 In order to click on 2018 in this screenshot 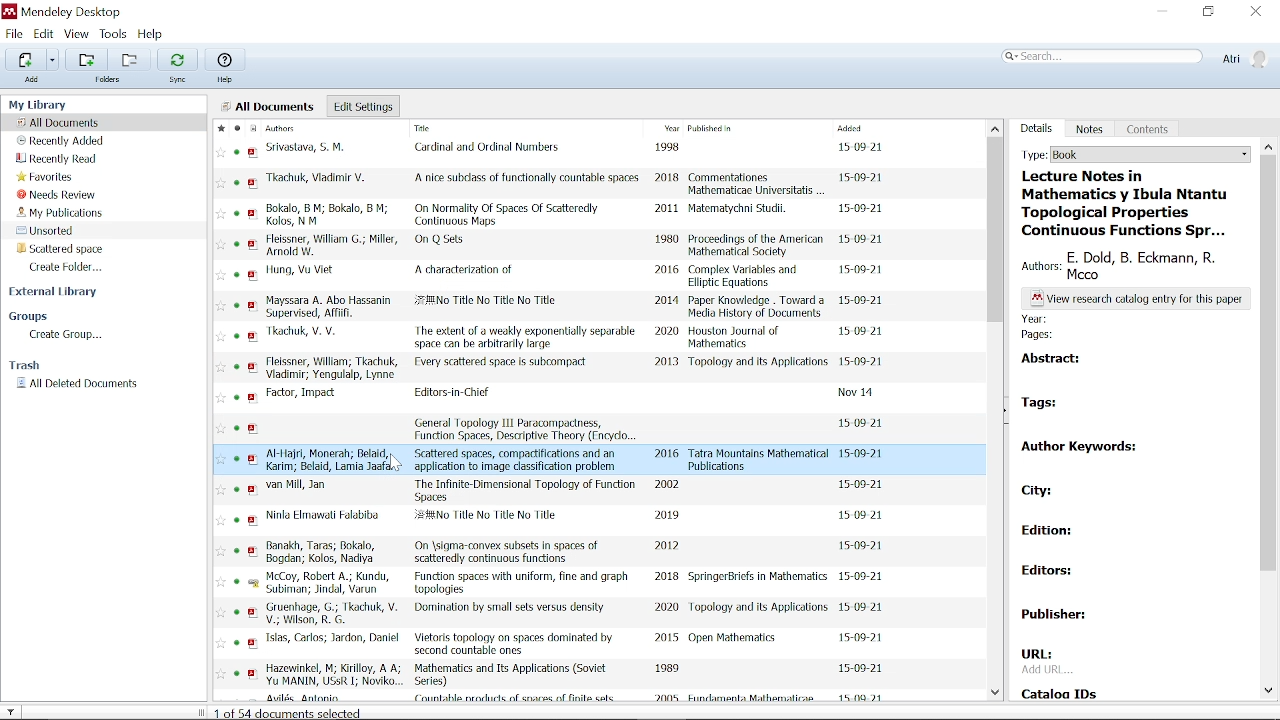, I will do `click(667, 180)`.